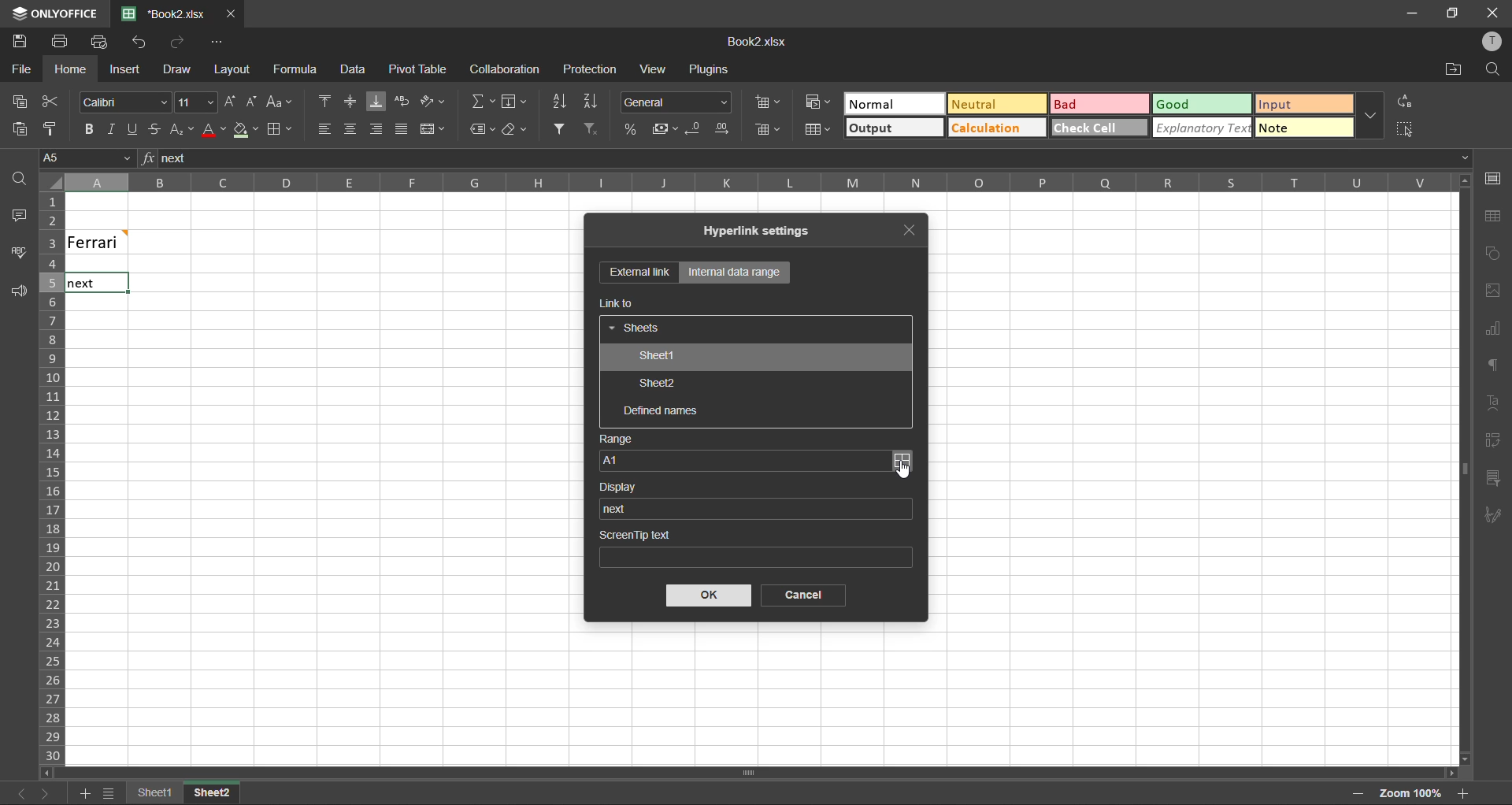 The image size is (1512, 805). I want to click on maximize, so click(1450, 13).